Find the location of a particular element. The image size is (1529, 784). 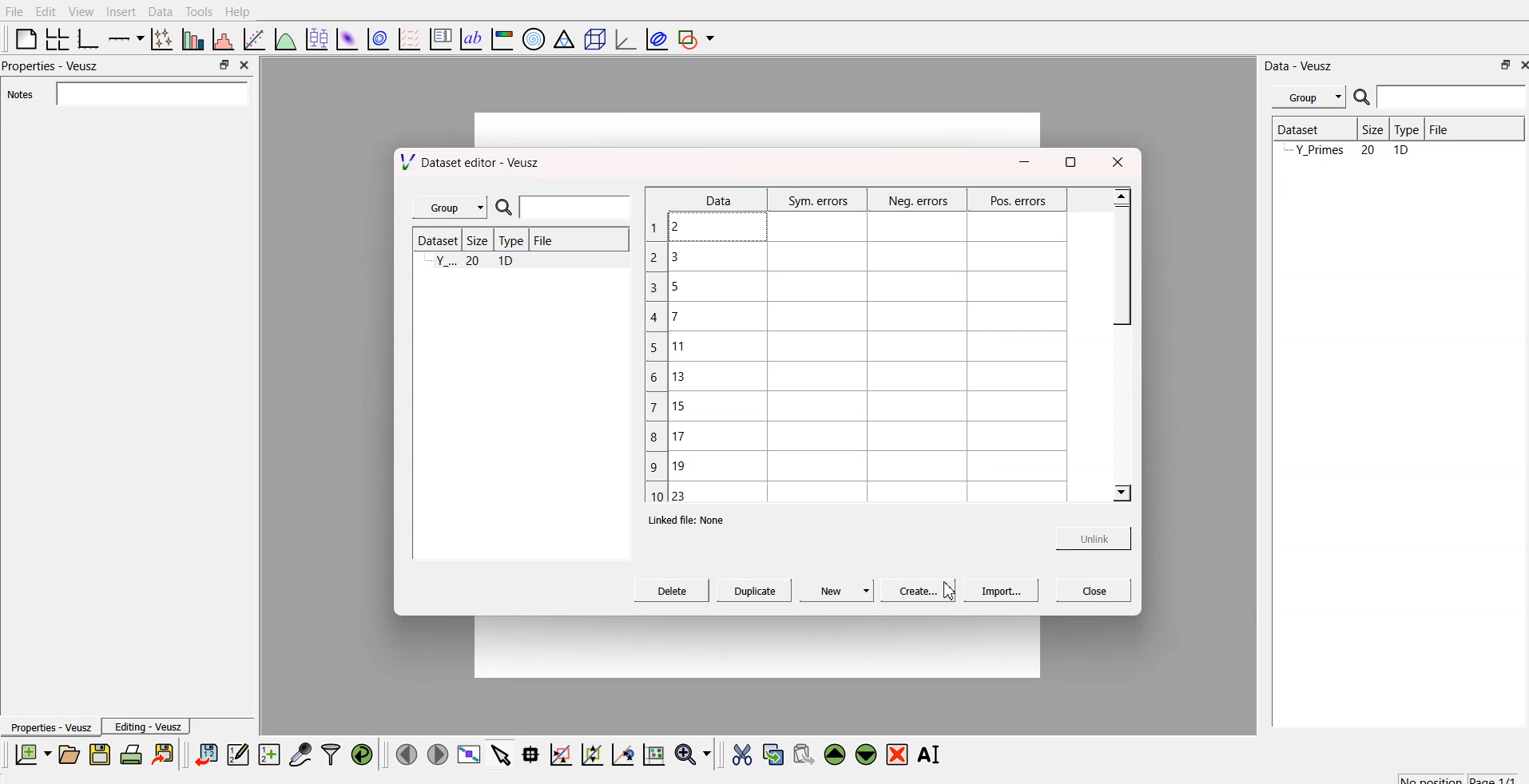

Linked file: None. is located at coordinates (693, 518).